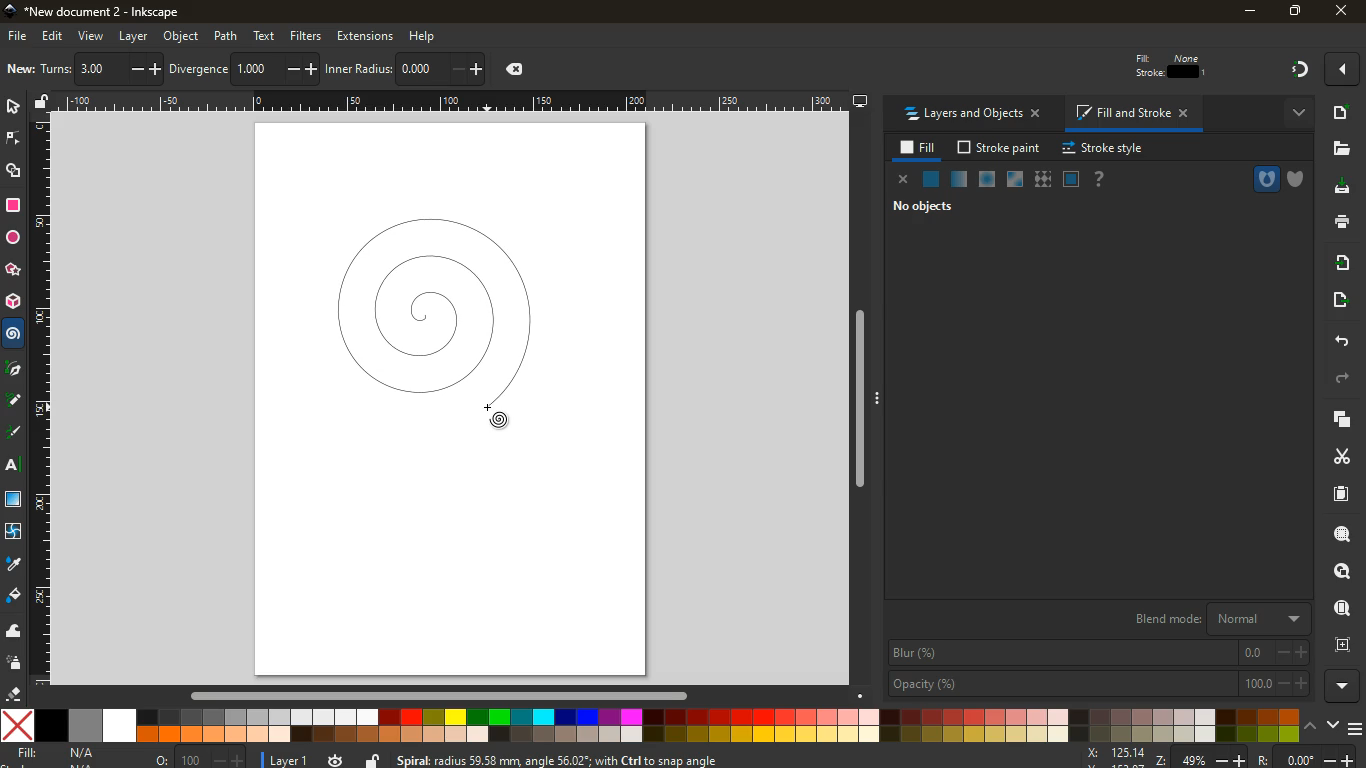 This screenshot has height=768, width=1366. I want to click on edge, so click(12, 141).